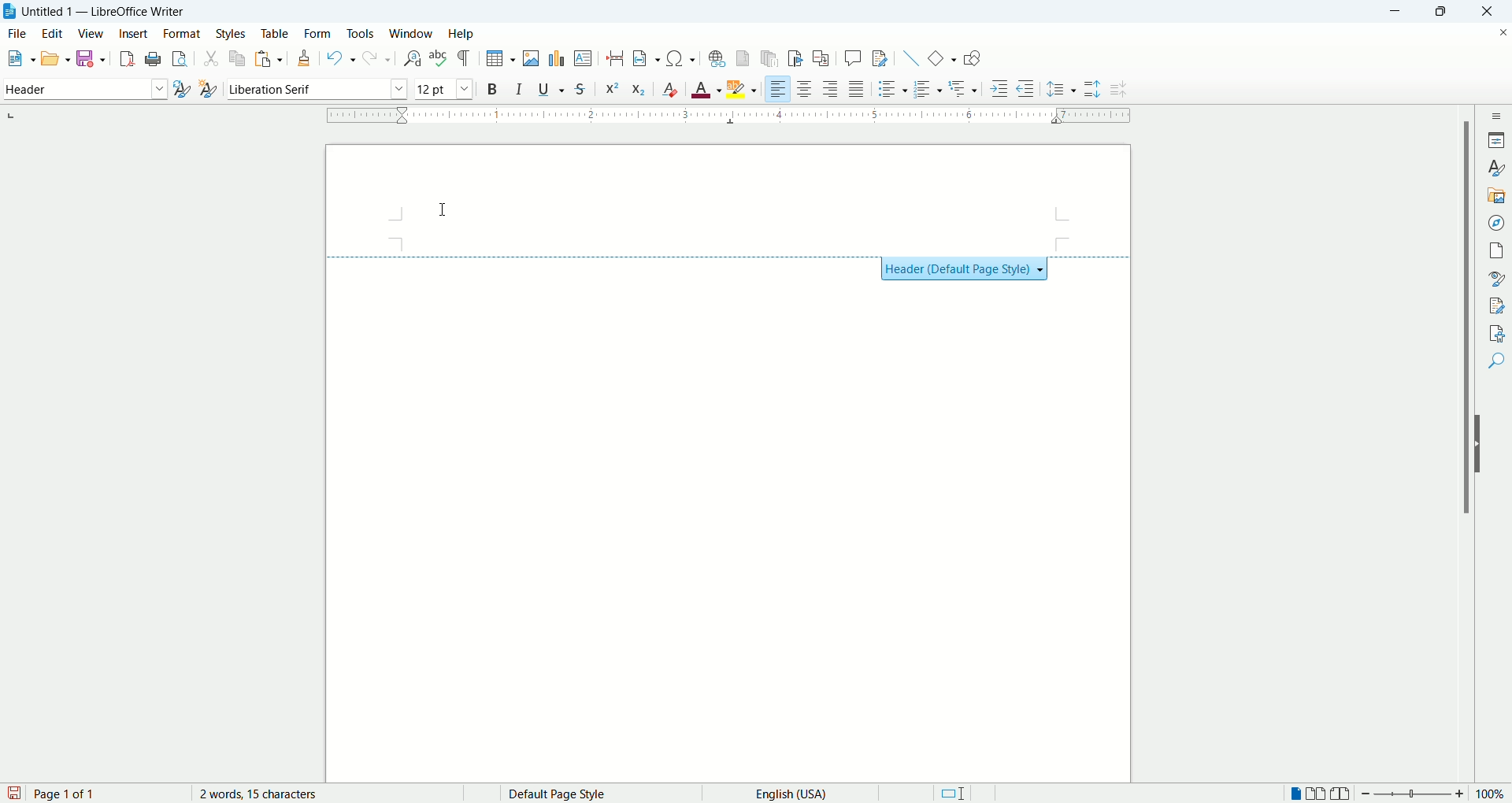 The image size is (1512, 803). I want to click on left align, so click(776, 87).